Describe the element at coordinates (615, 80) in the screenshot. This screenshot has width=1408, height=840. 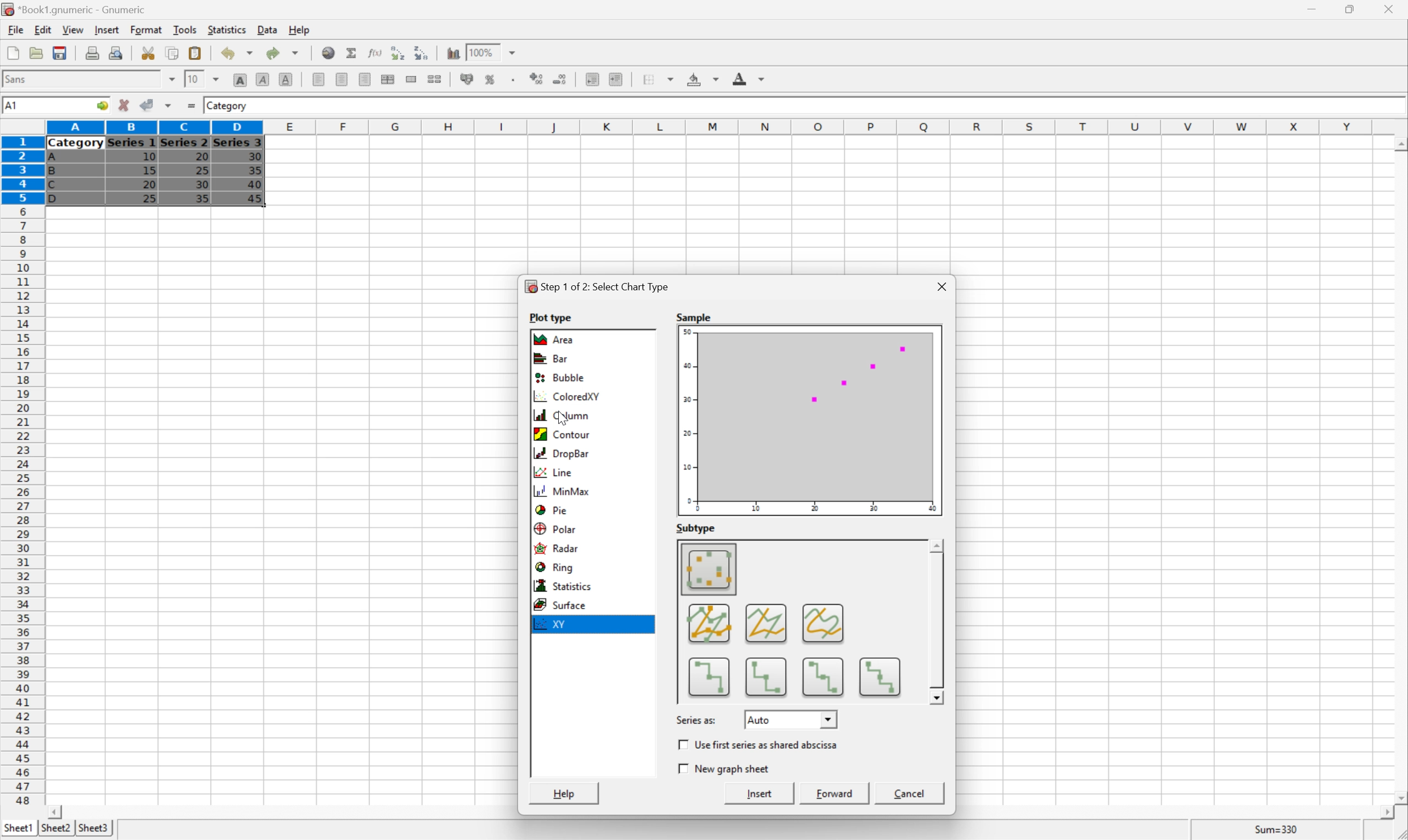
I see `Increase indent, and align the contents to the left` at that location.